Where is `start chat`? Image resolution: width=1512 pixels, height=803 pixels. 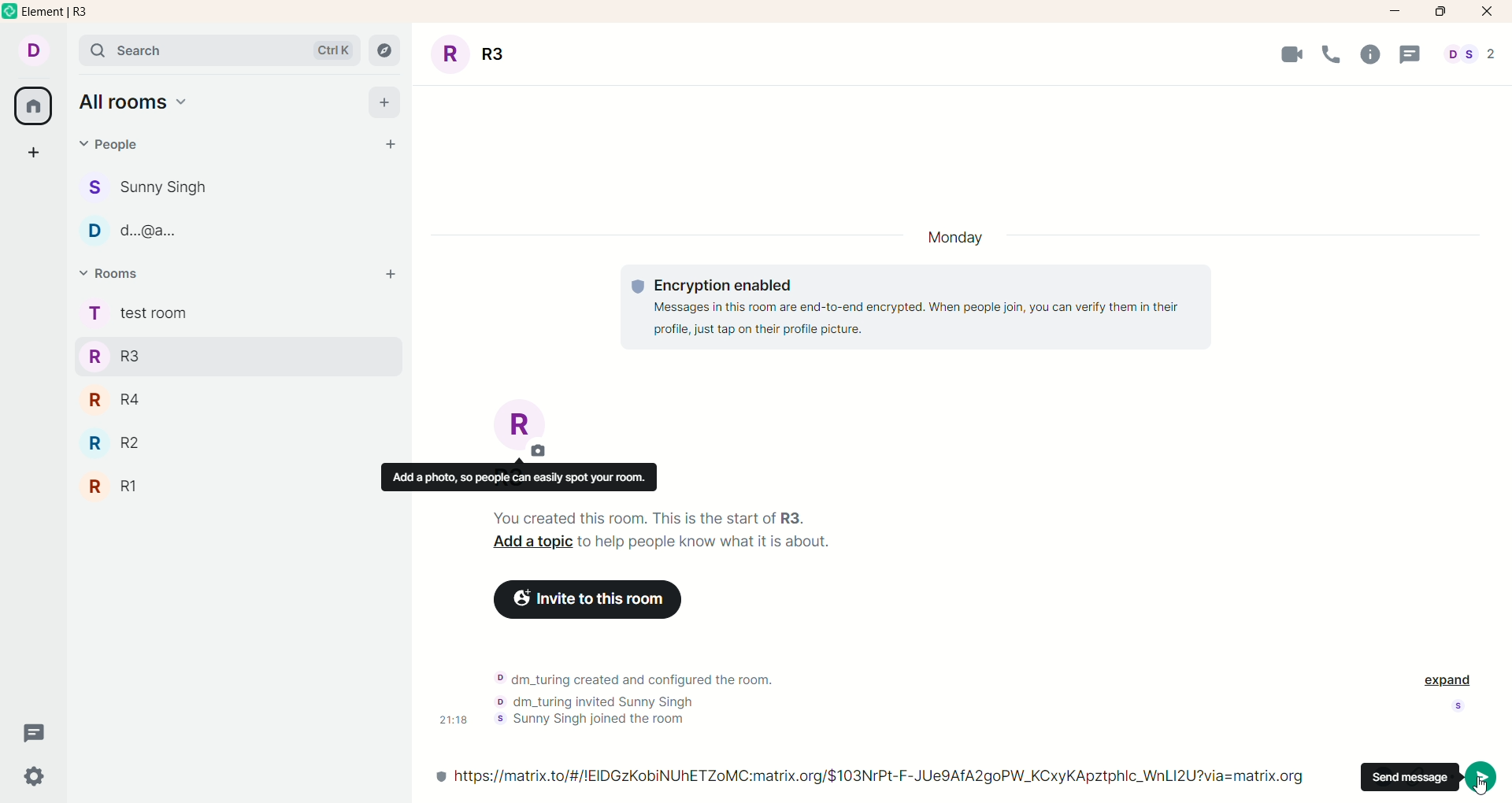
start chat is located at coordinates (381, 146).